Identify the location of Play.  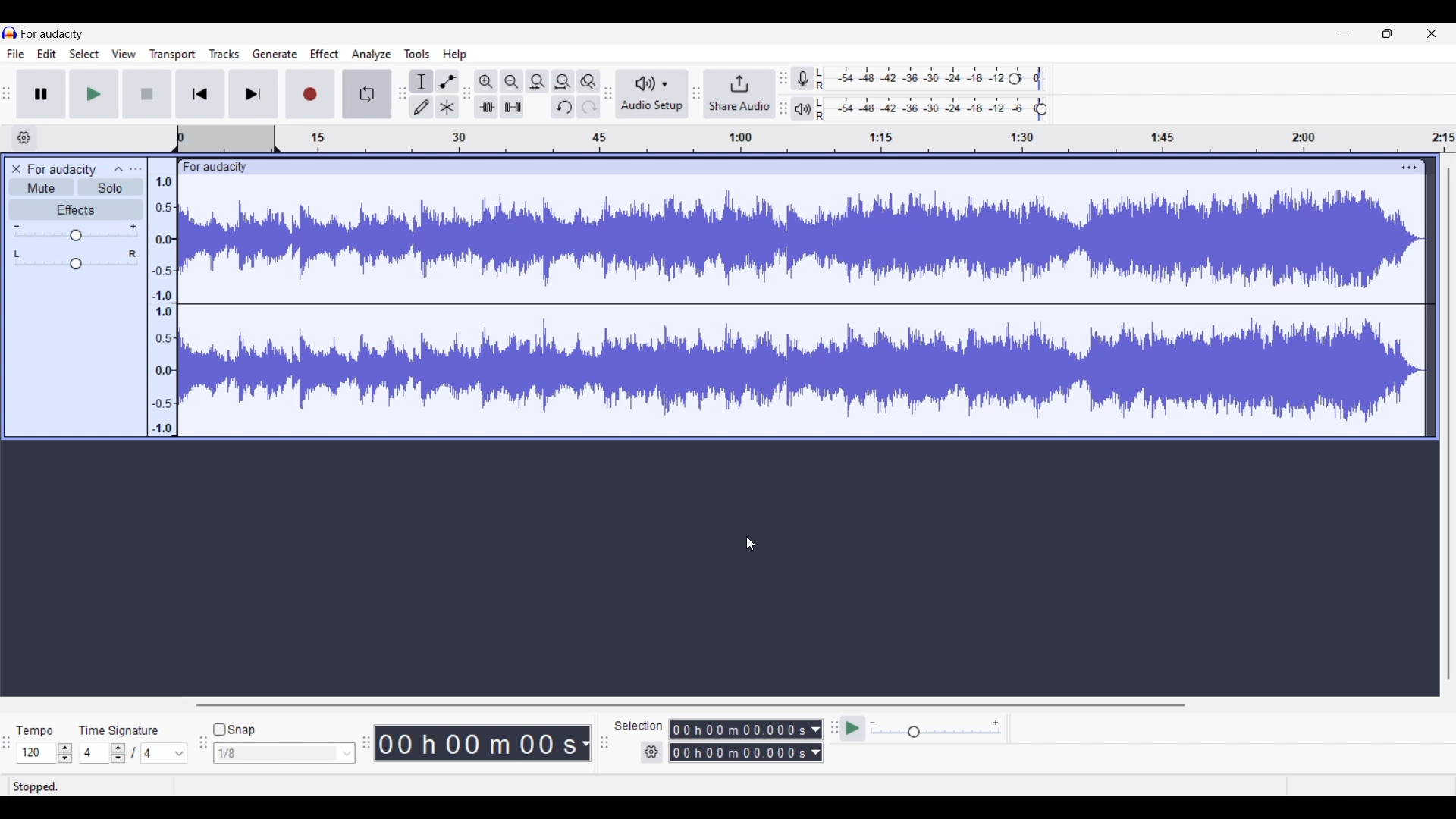
(94, 93).